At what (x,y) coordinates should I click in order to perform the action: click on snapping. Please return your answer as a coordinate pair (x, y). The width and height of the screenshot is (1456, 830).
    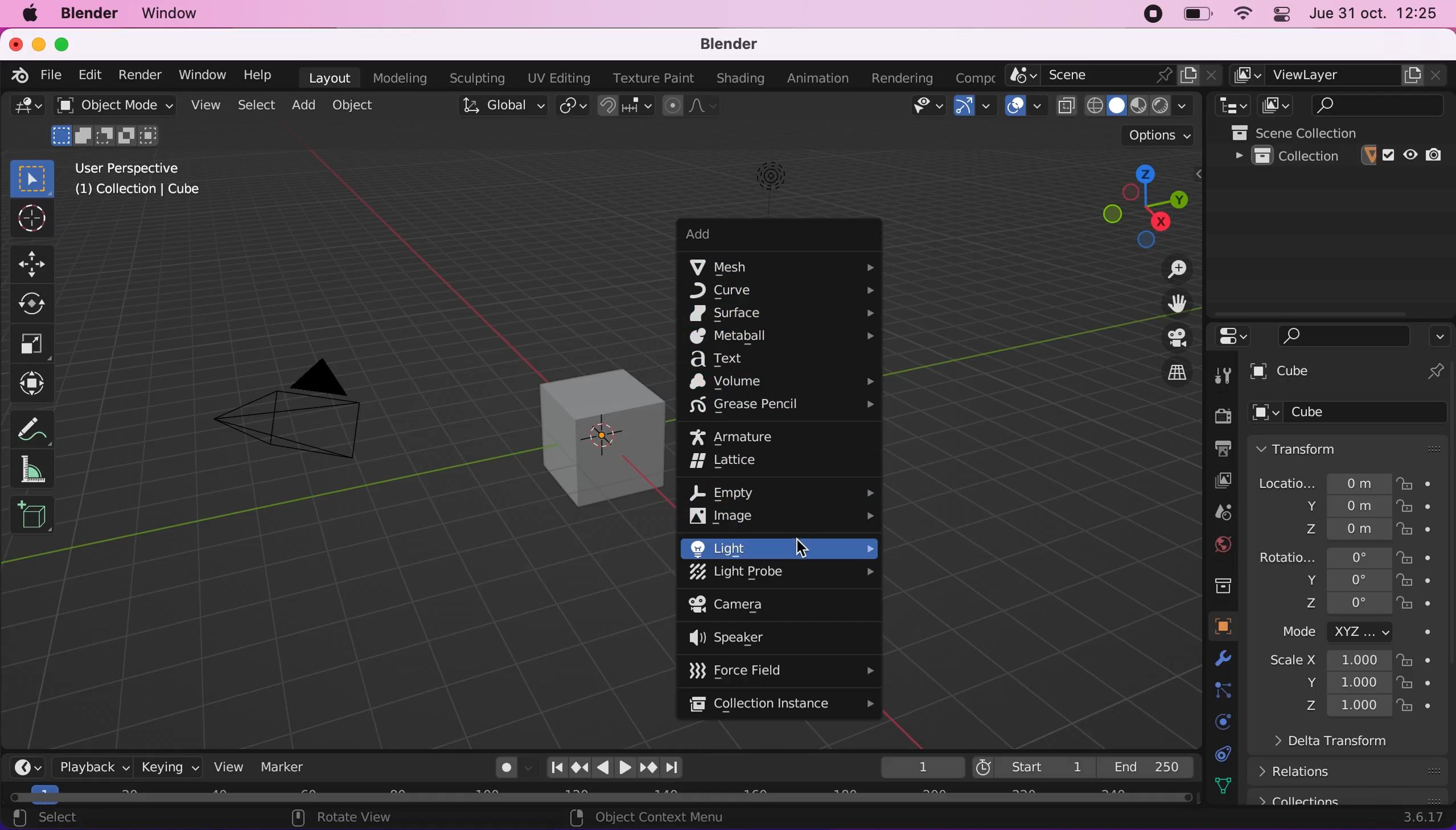
    Looking at the image, I should click on (628, 107).